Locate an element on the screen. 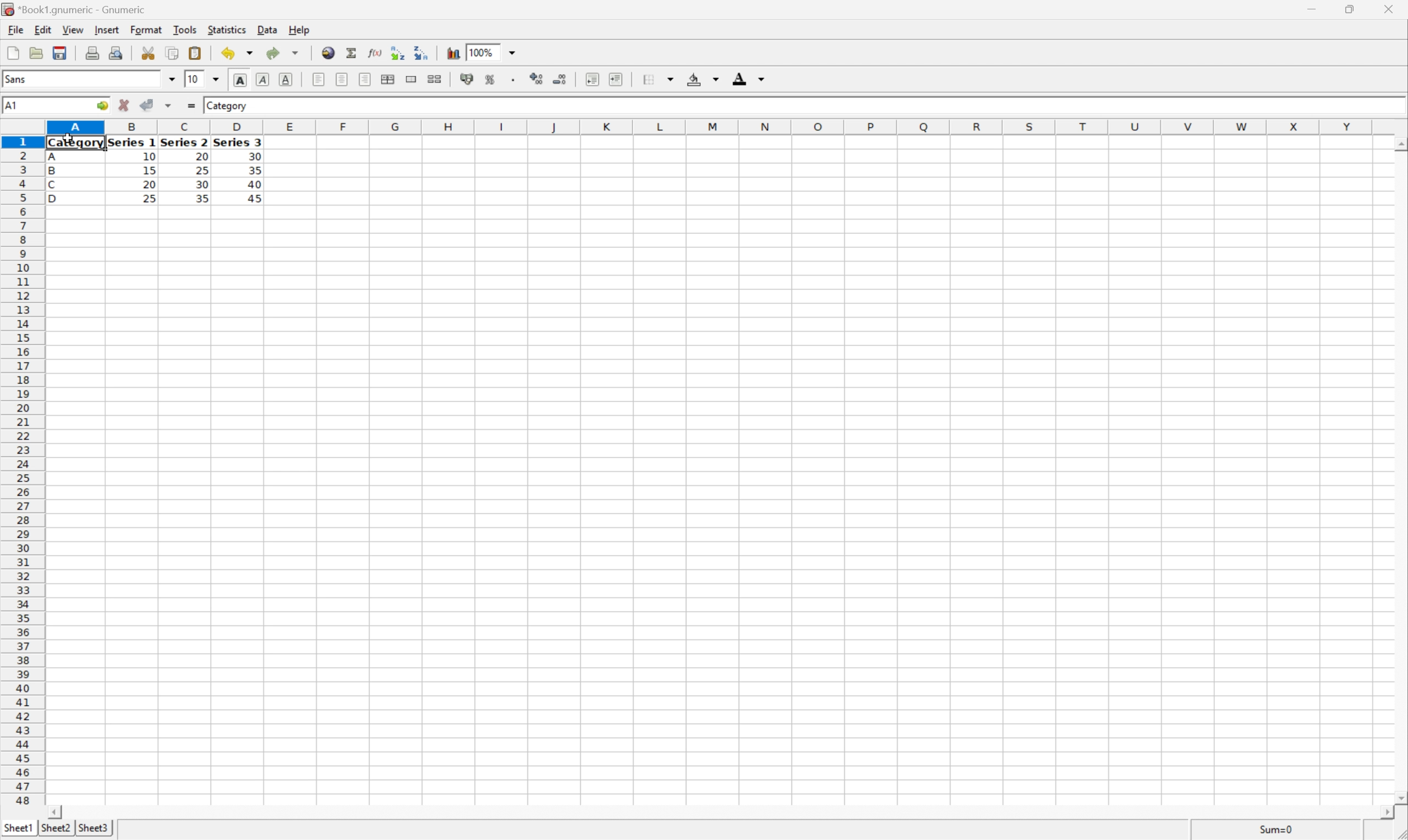 This screenshot has height=840, width=1408. Series 3 is located at coordinates (238, 142).